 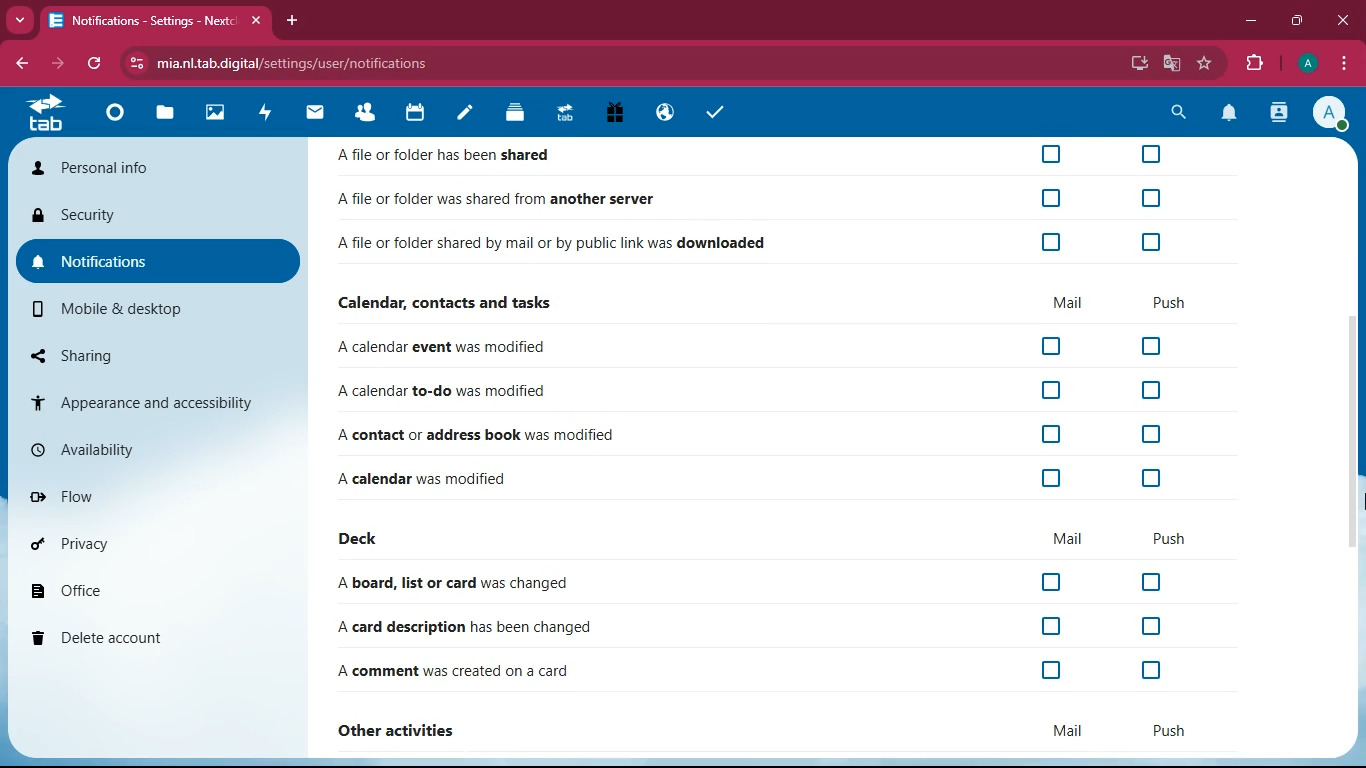 What do you see at coordinates (1053, 389) in the screenshot?
I see `off` at bounding box center [1053, 389].